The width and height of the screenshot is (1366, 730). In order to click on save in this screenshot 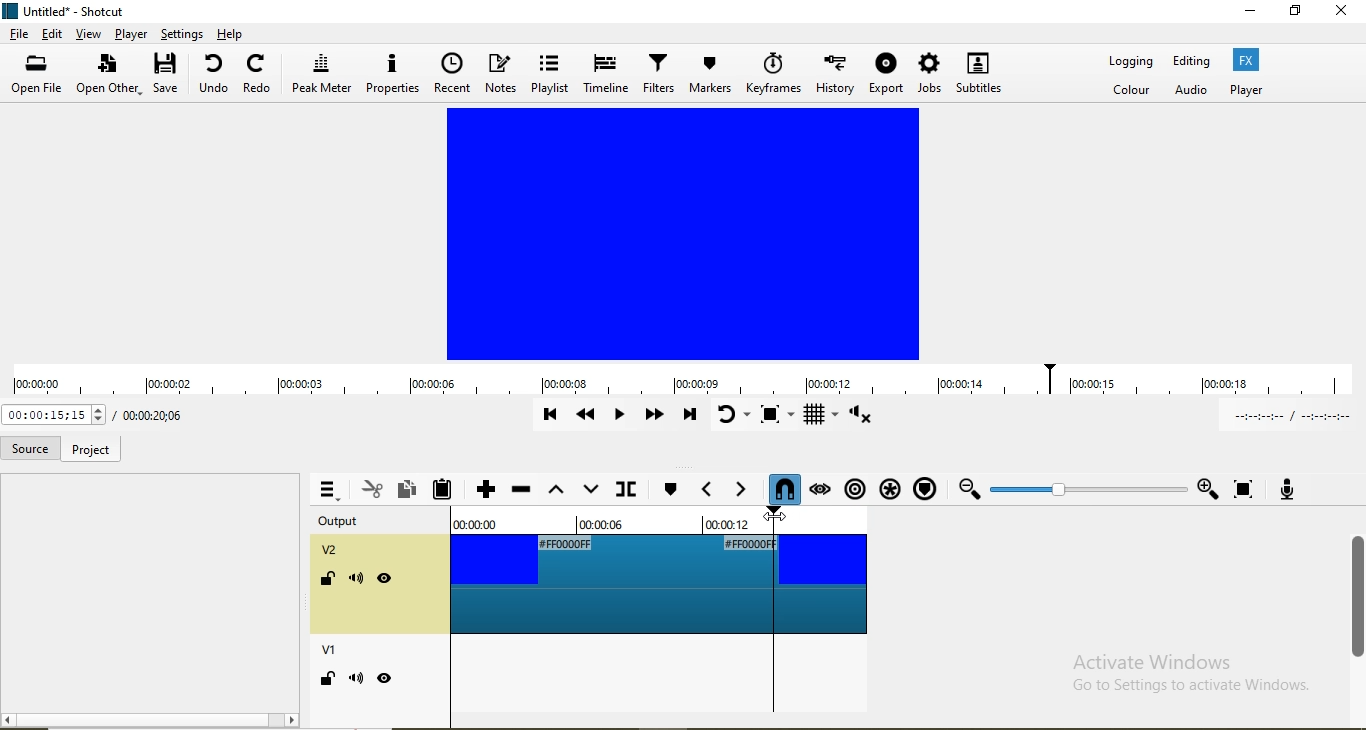, I will do `click(169, 76)`.